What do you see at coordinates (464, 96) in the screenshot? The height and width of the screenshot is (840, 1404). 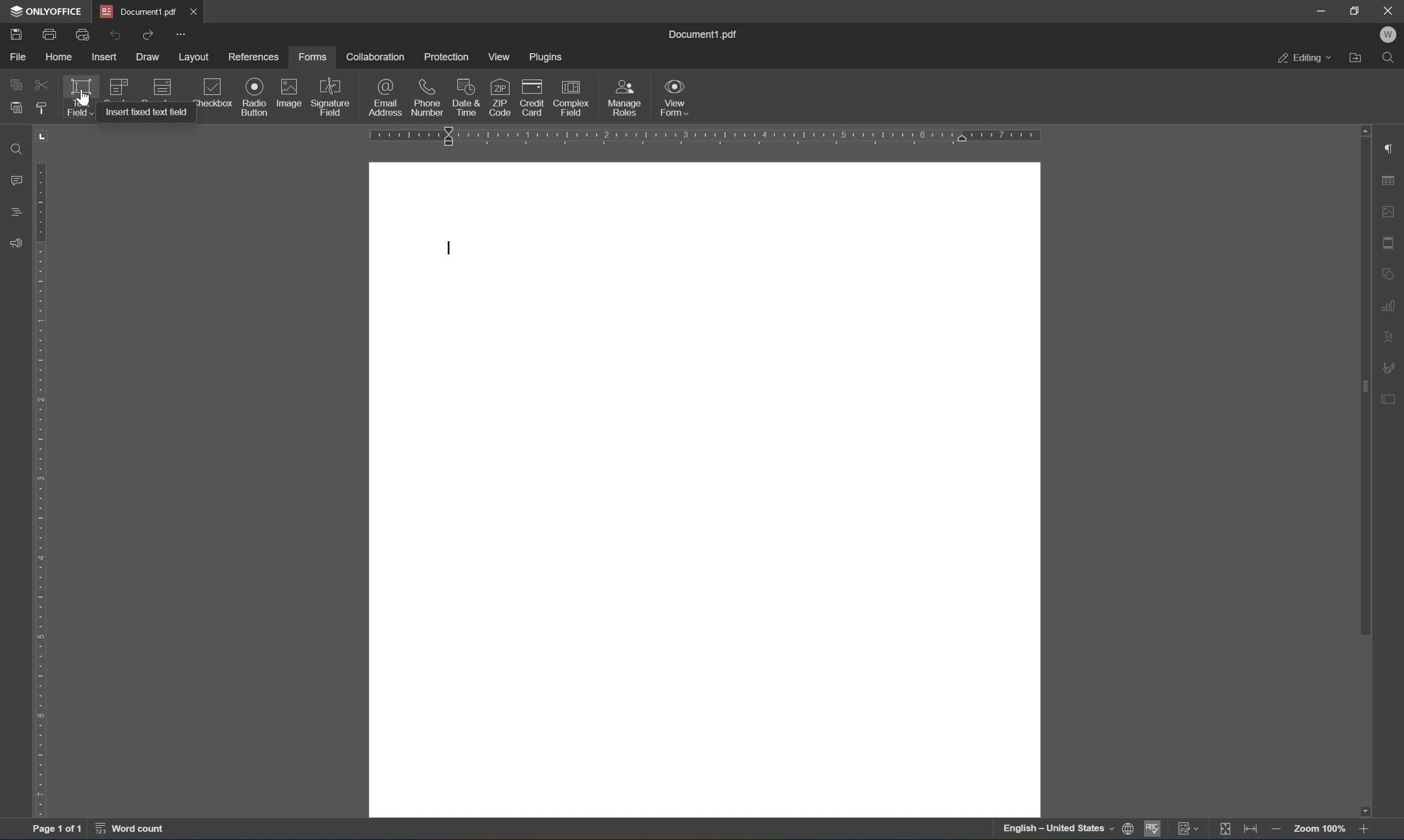 I see `date & time` at bounding box center [464, 96].